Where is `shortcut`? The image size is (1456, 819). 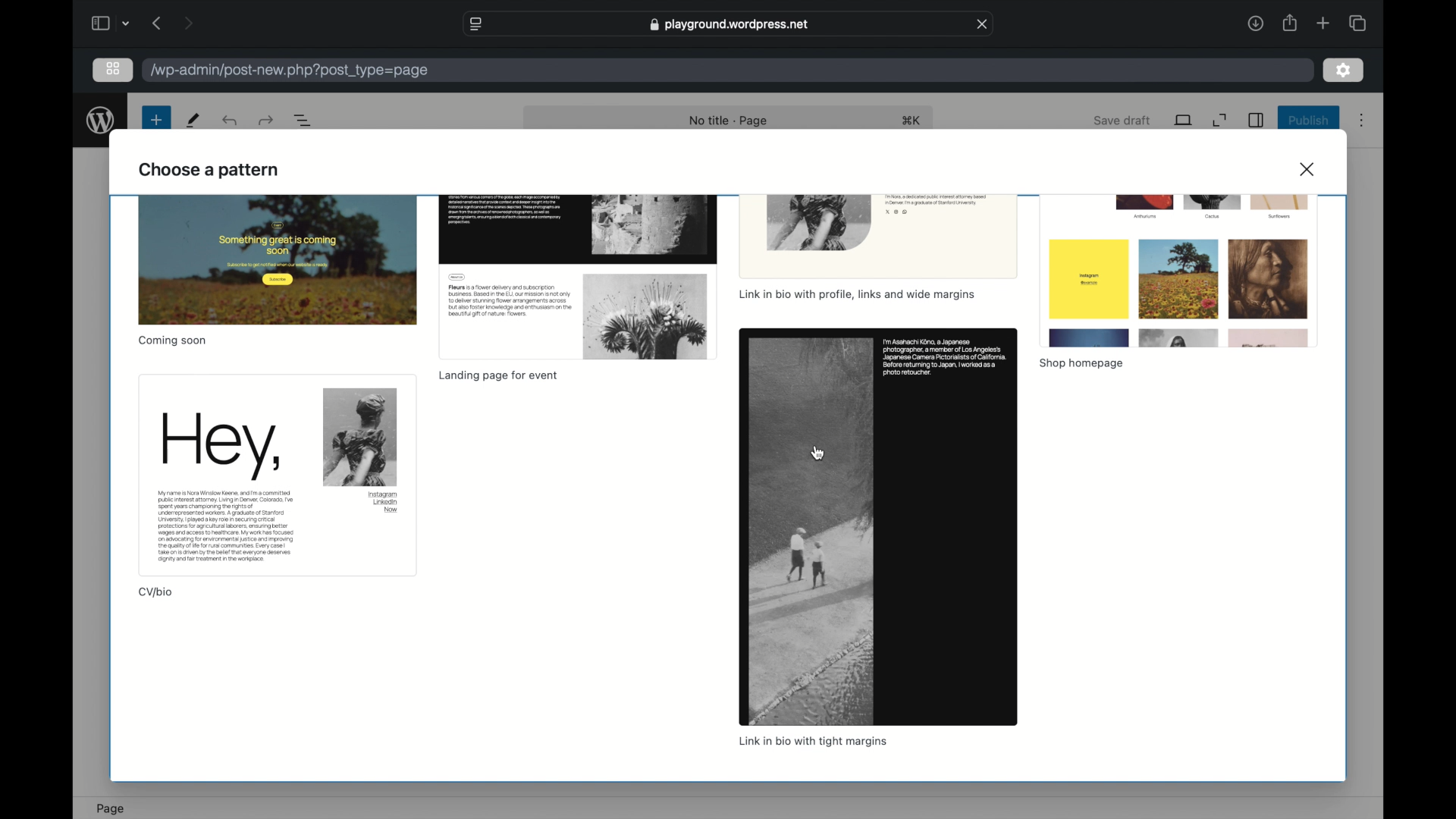 shortcut is located at coordinates (914, 121).